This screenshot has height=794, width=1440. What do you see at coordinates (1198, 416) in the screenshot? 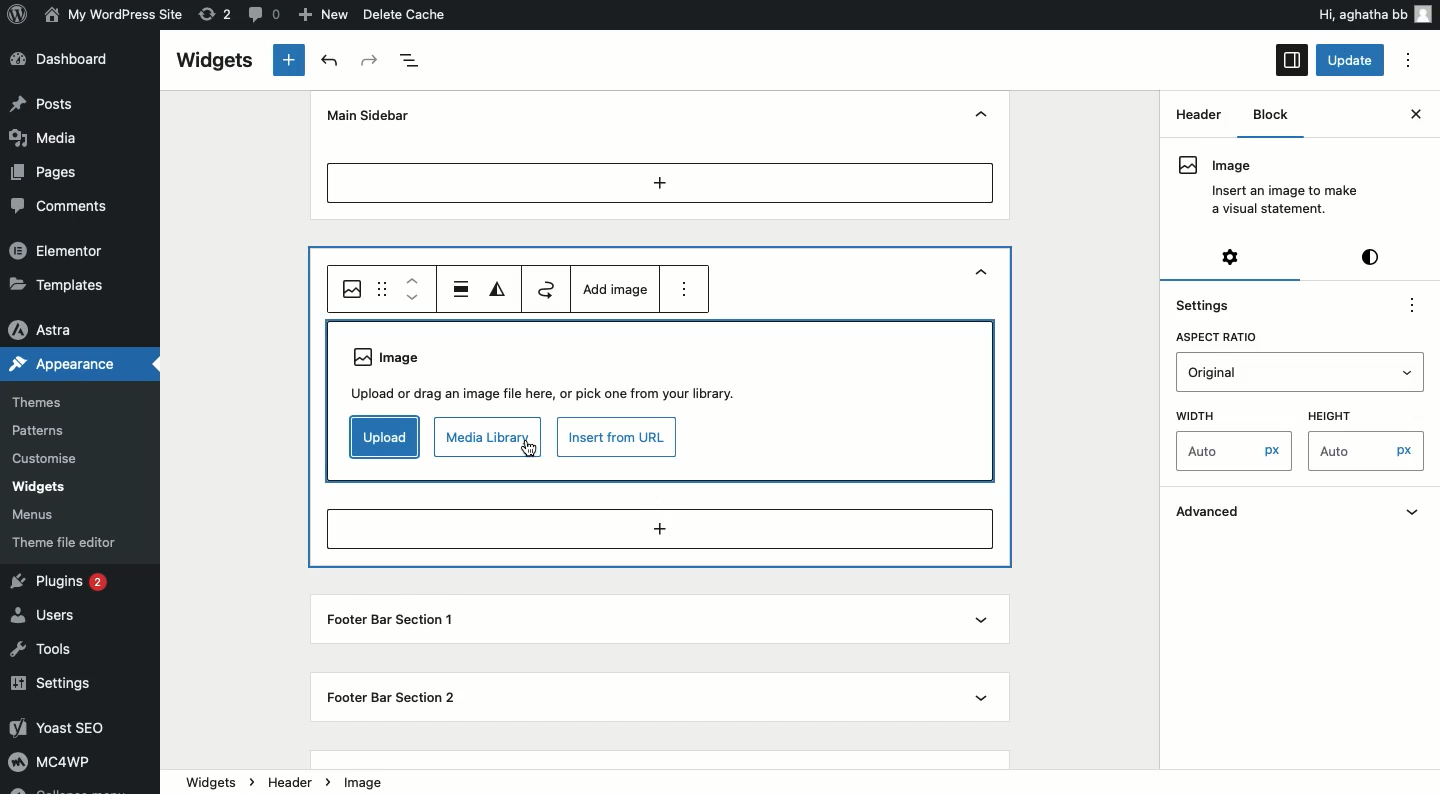
I see `Width` at bounding box center [1198, 416].